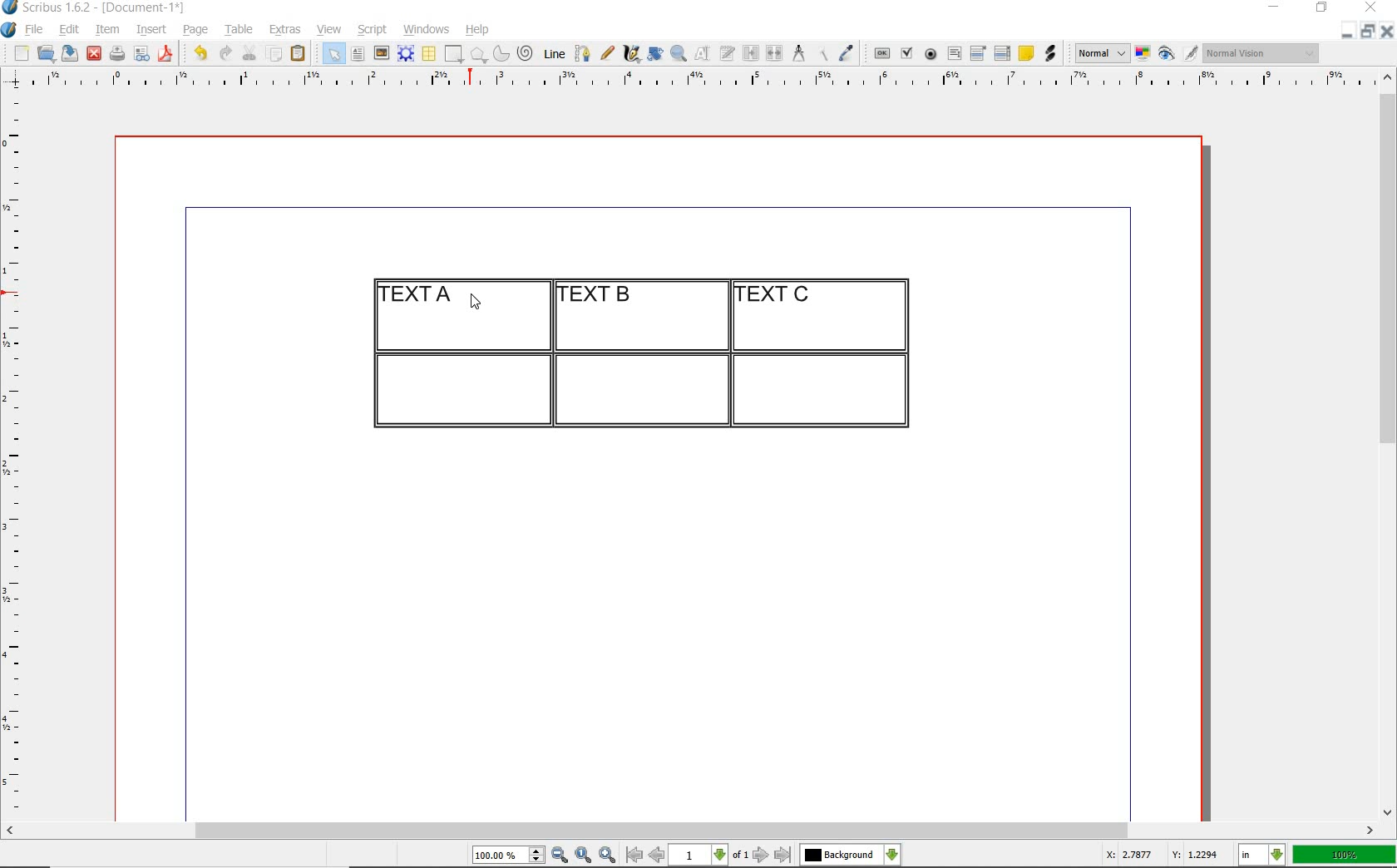  I want to click on measurements, so click(798, 54).